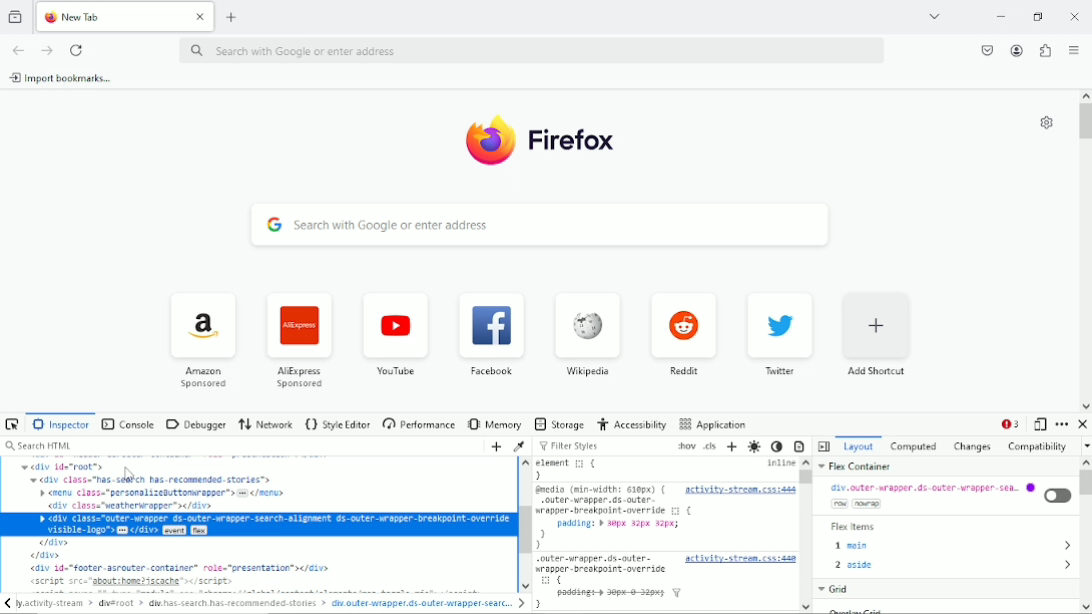 This screenshot has height=614, width=1092. Describe the element at coordinates (161, 493) in the screenshot. I see `<menu class = "personalizeButtonwrapper">...</menu>` at that location.